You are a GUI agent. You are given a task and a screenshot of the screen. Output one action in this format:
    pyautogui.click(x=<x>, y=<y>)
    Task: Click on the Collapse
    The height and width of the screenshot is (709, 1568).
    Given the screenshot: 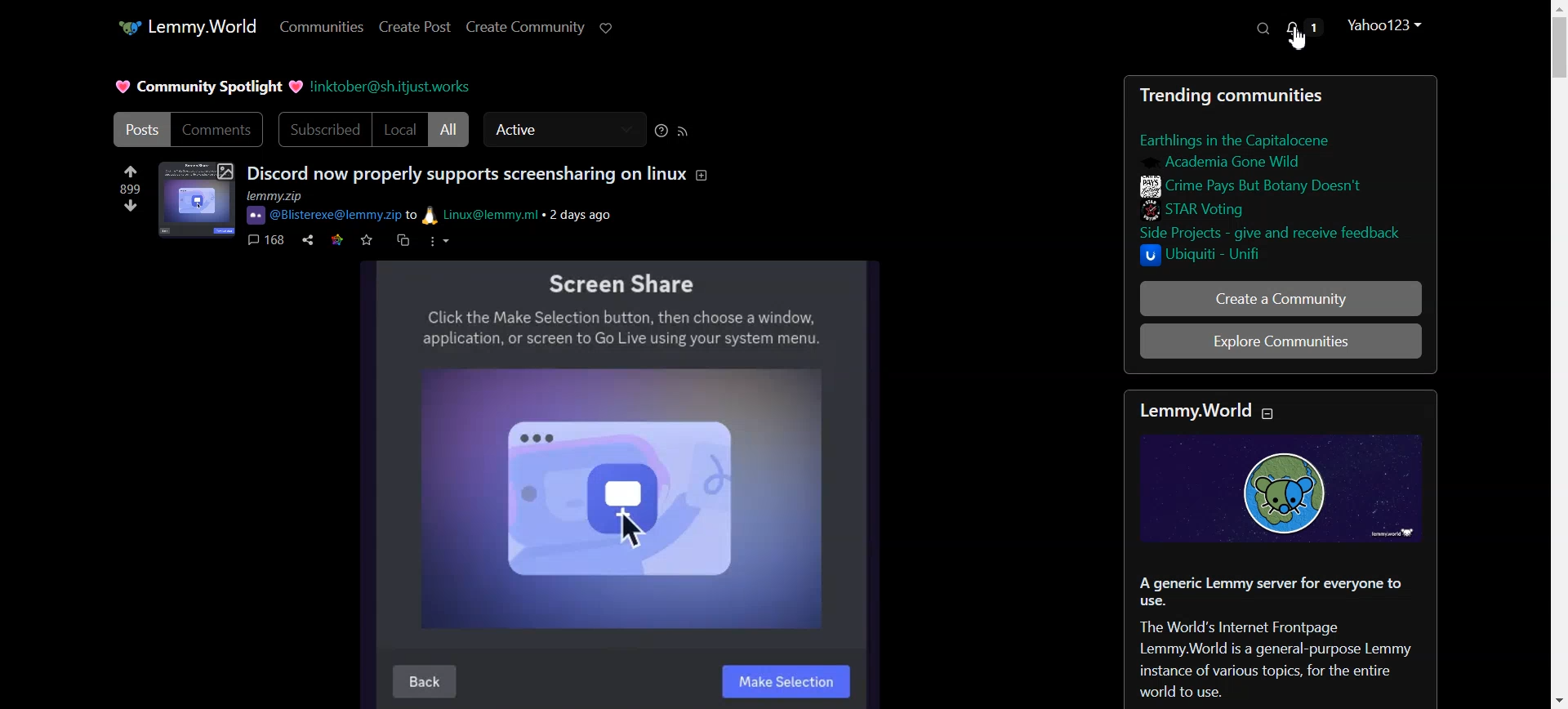 What is the action you would take?
    pyautogui.click(x=1267, y=413)
    